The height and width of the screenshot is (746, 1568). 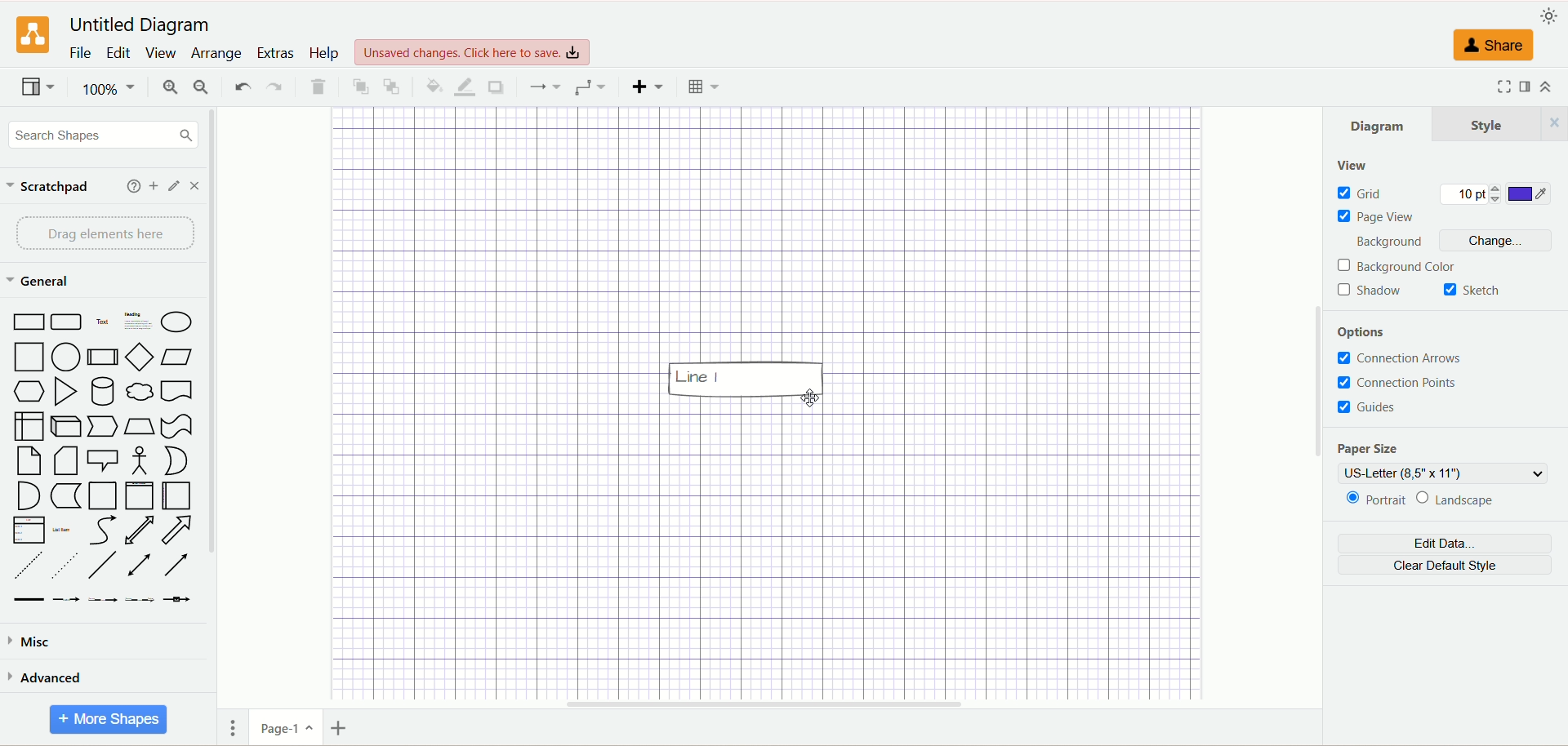 I want to click on options, so click(x=1363, y=328).